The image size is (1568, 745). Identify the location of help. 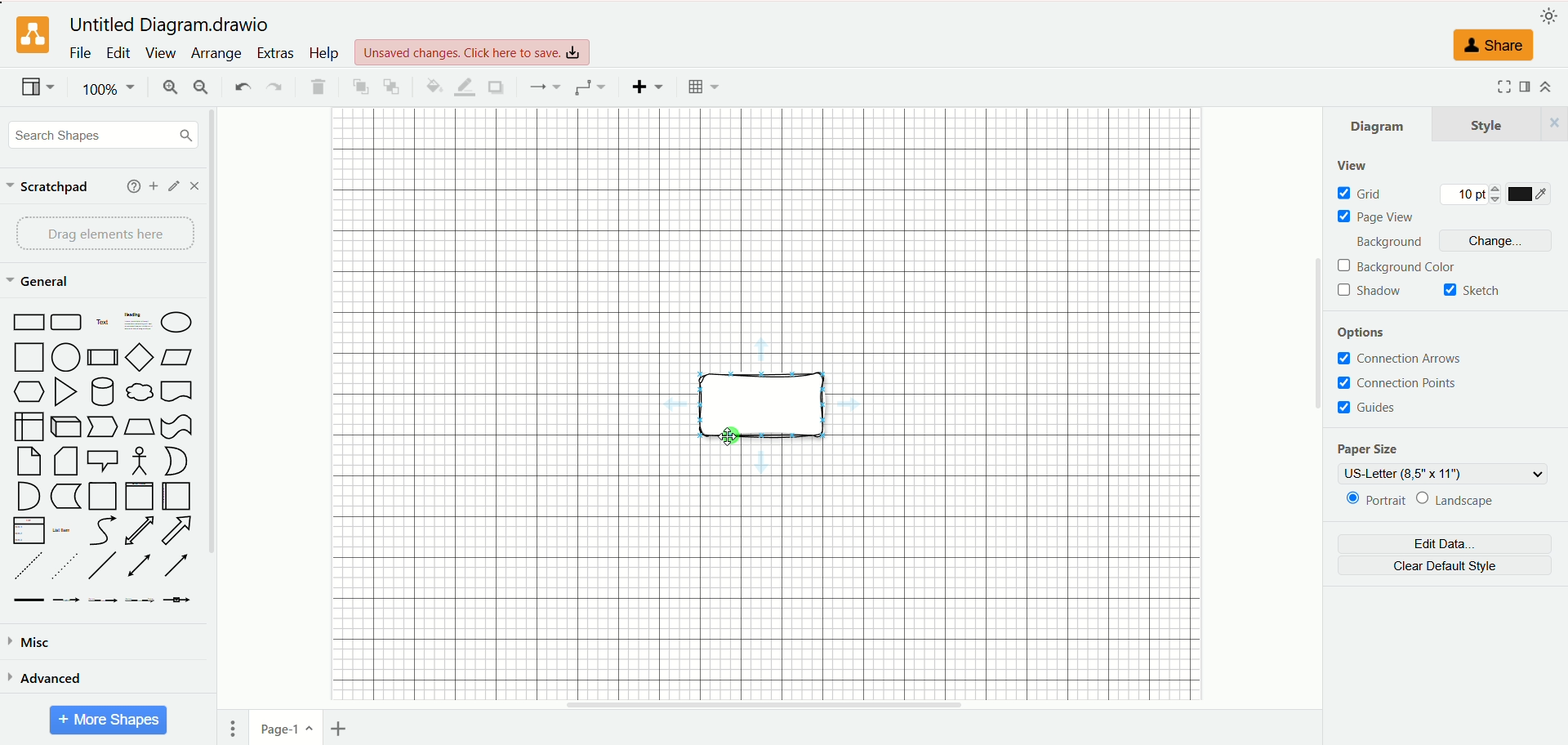
(134, 186).